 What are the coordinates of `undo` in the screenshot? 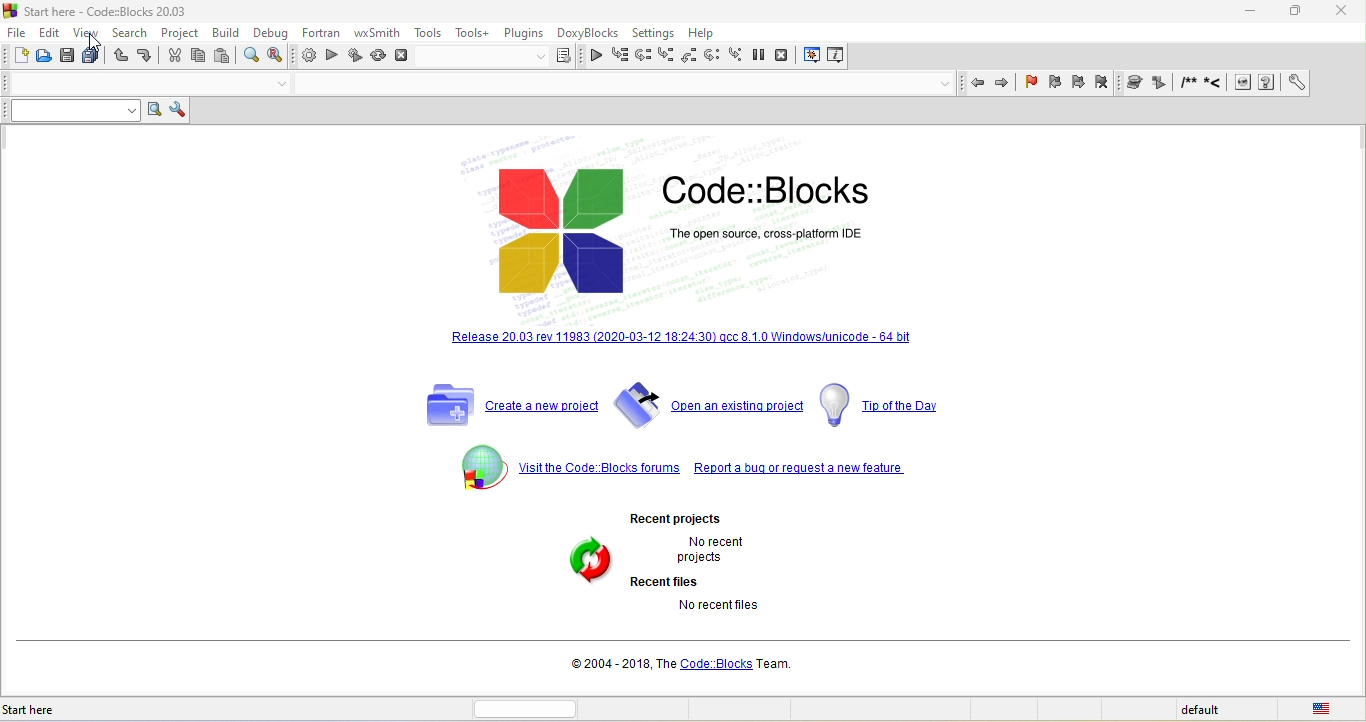 It's located at (119, 58).